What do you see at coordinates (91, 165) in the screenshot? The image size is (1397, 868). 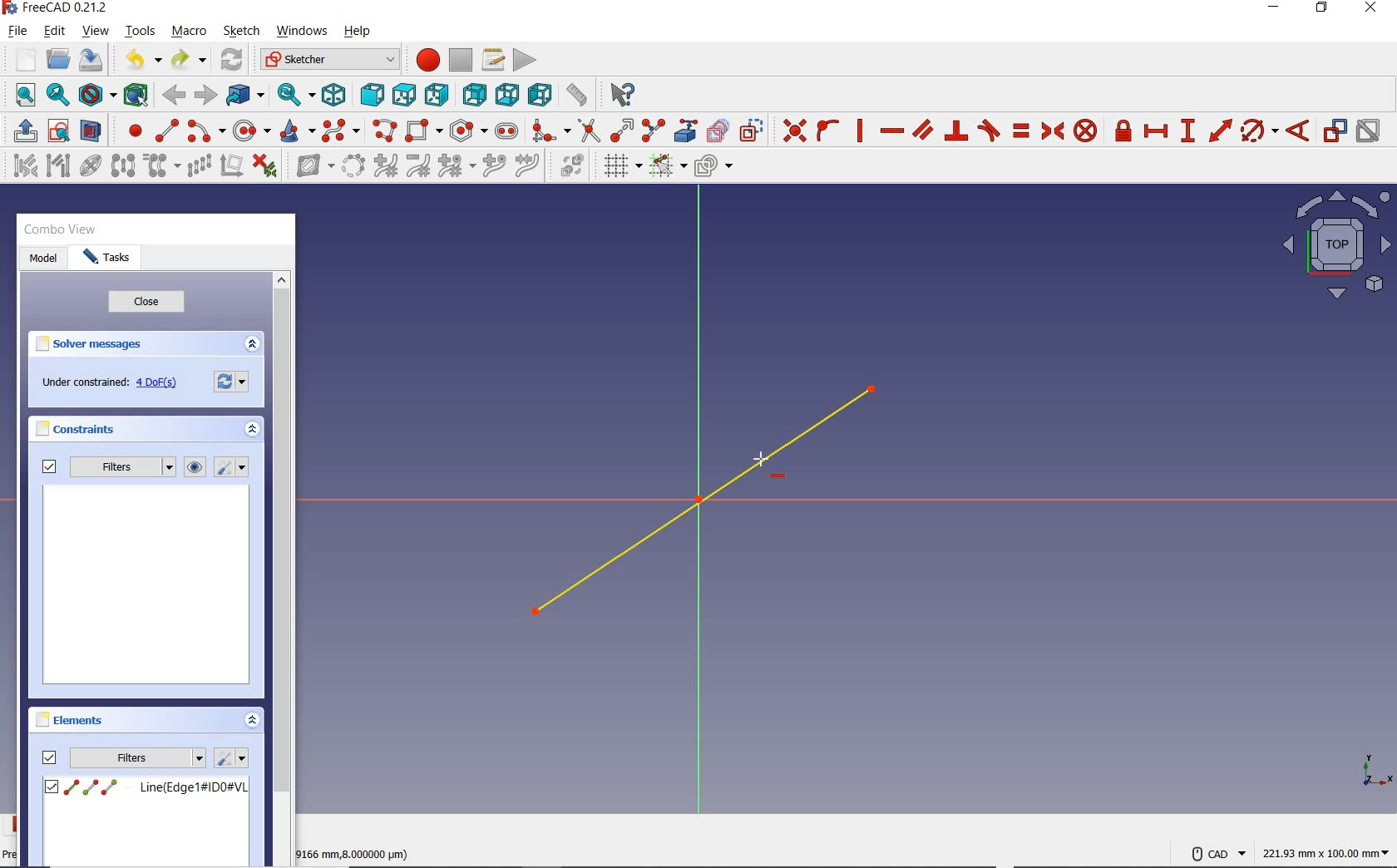 I see `SHOW/HIDE INTERNAL GEOMETRY` at bounding box center [91, 165].